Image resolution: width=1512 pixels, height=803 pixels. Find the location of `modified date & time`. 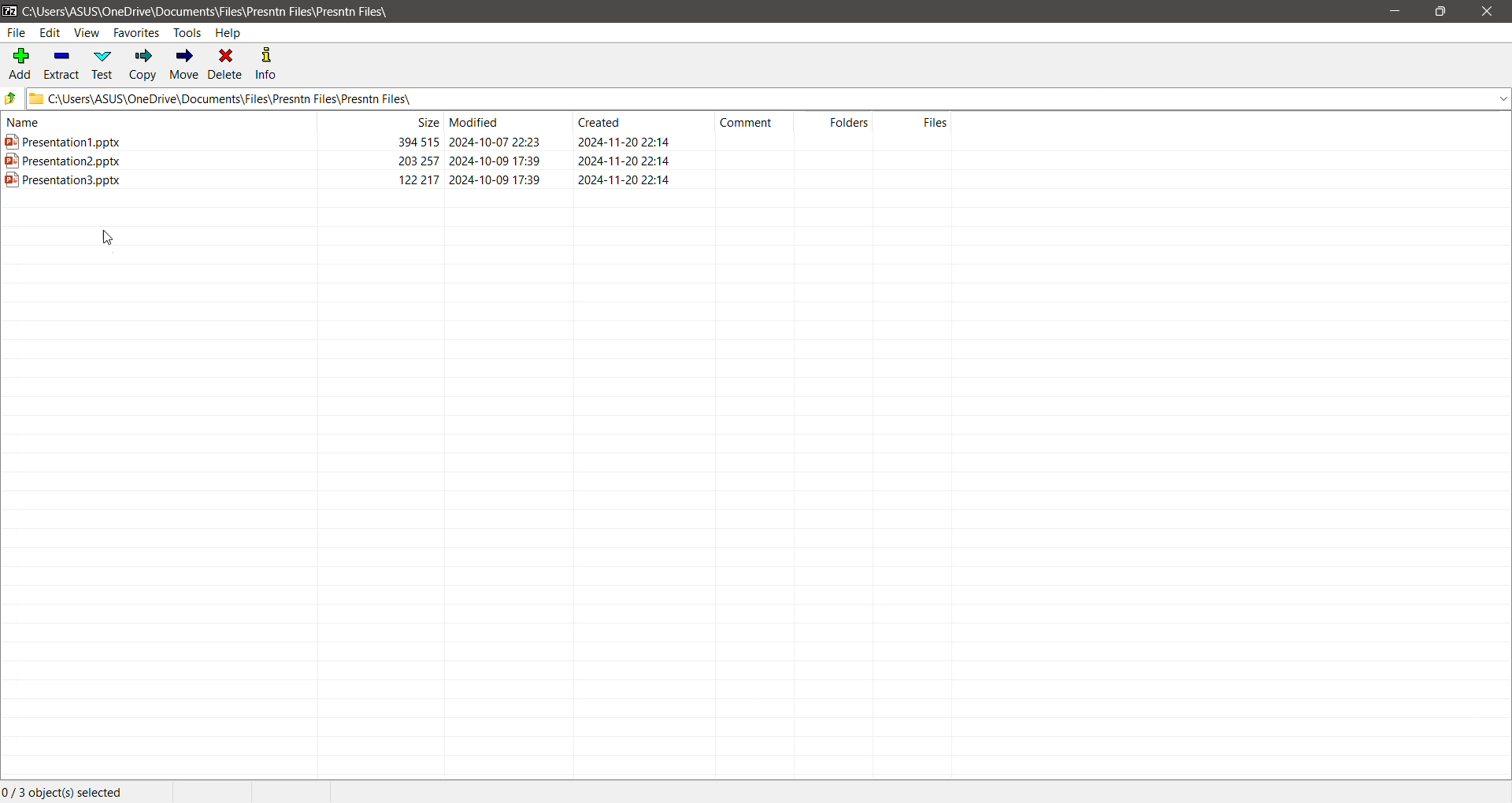

modified date & time is located at coordinates (495, 179).